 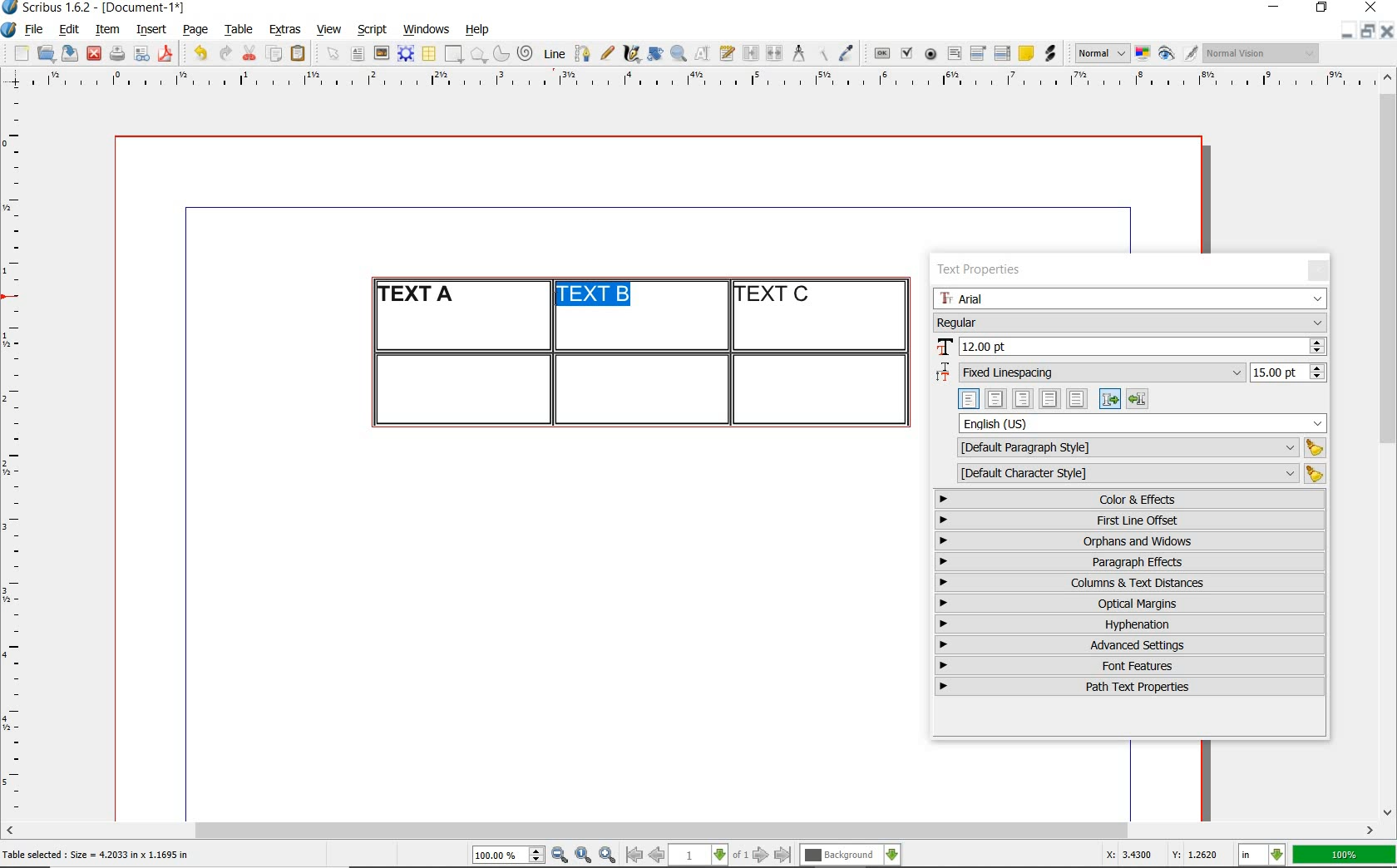 I want to click on spiral, so click(x=526, y=53).